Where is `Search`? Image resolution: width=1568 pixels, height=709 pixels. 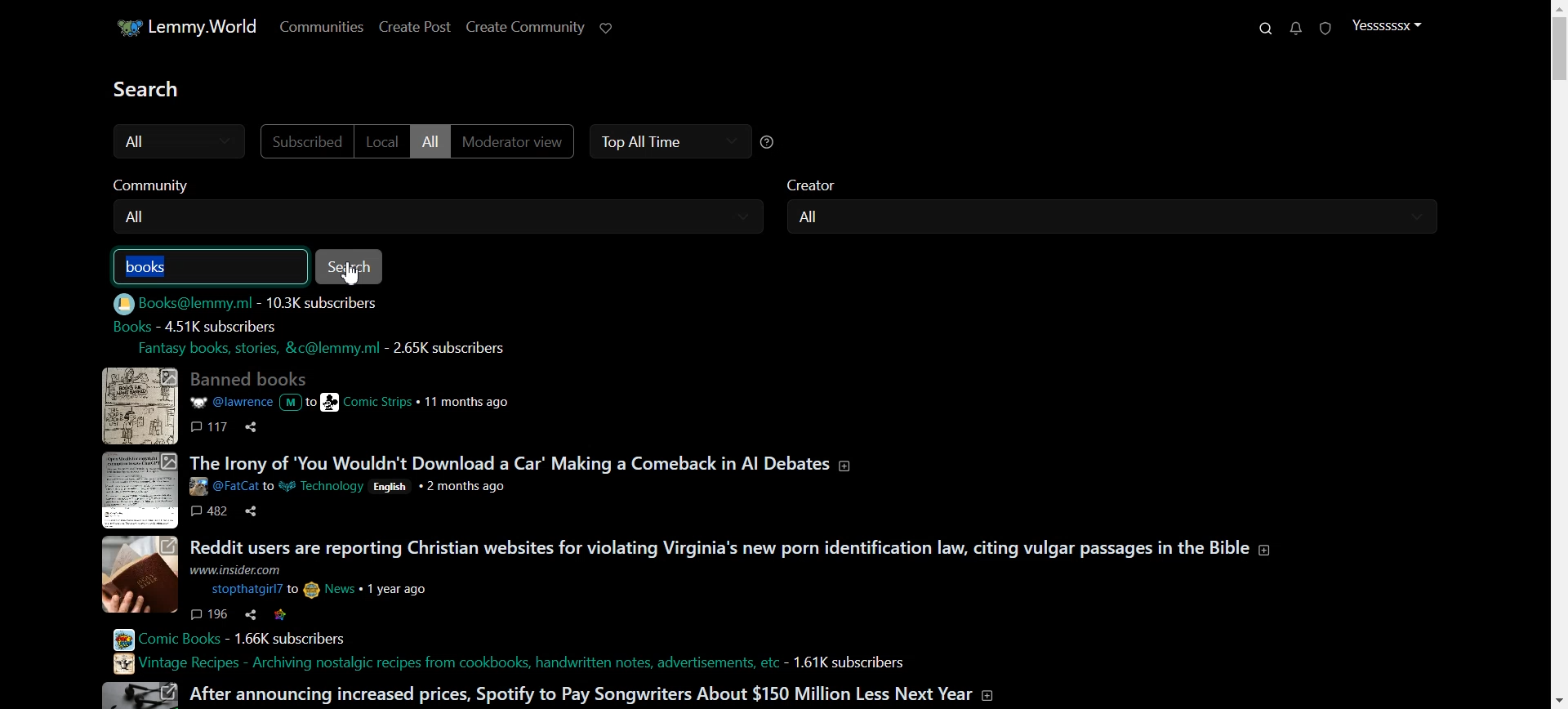
Search is located at coordinates (350, 267).